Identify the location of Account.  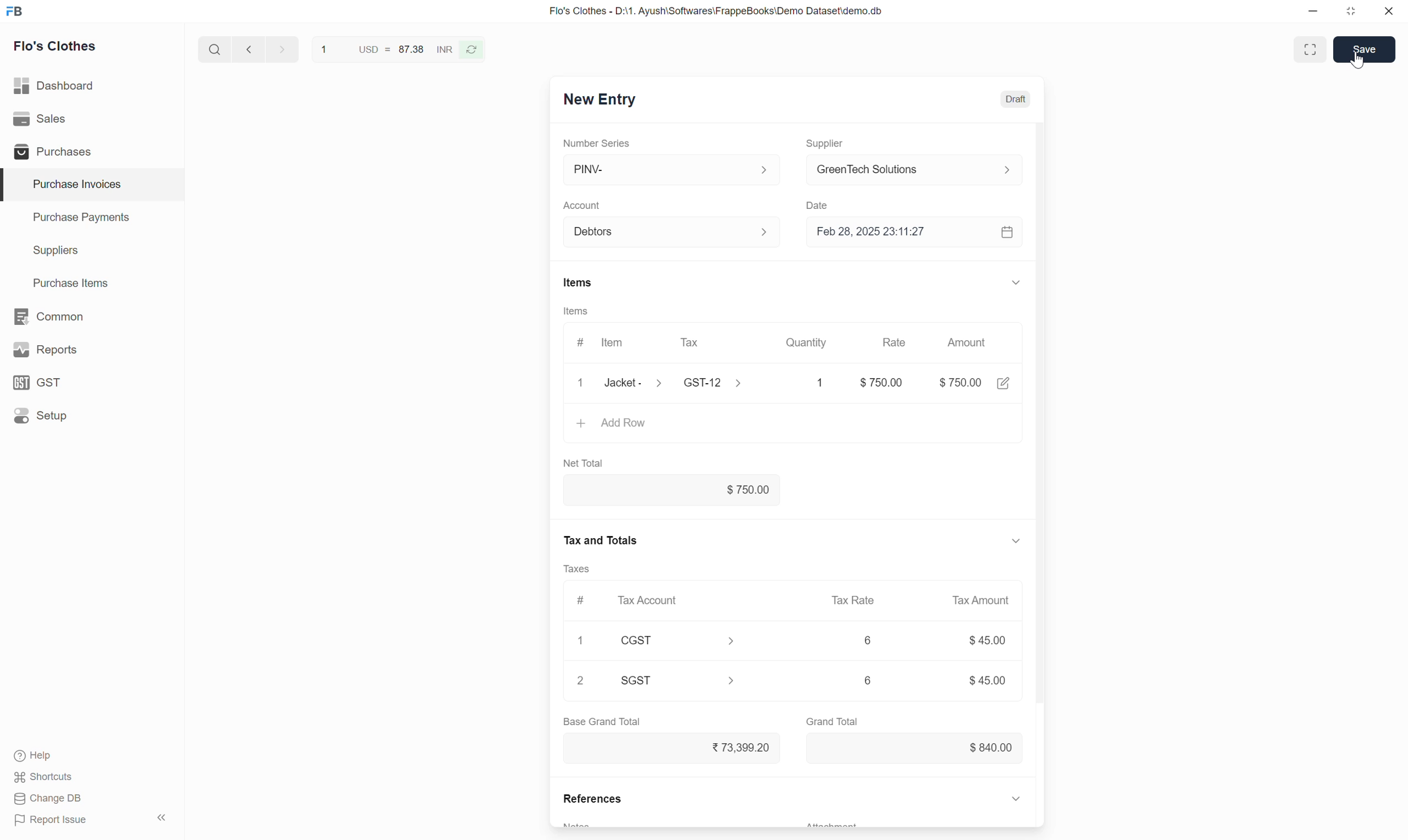
(583, 206).